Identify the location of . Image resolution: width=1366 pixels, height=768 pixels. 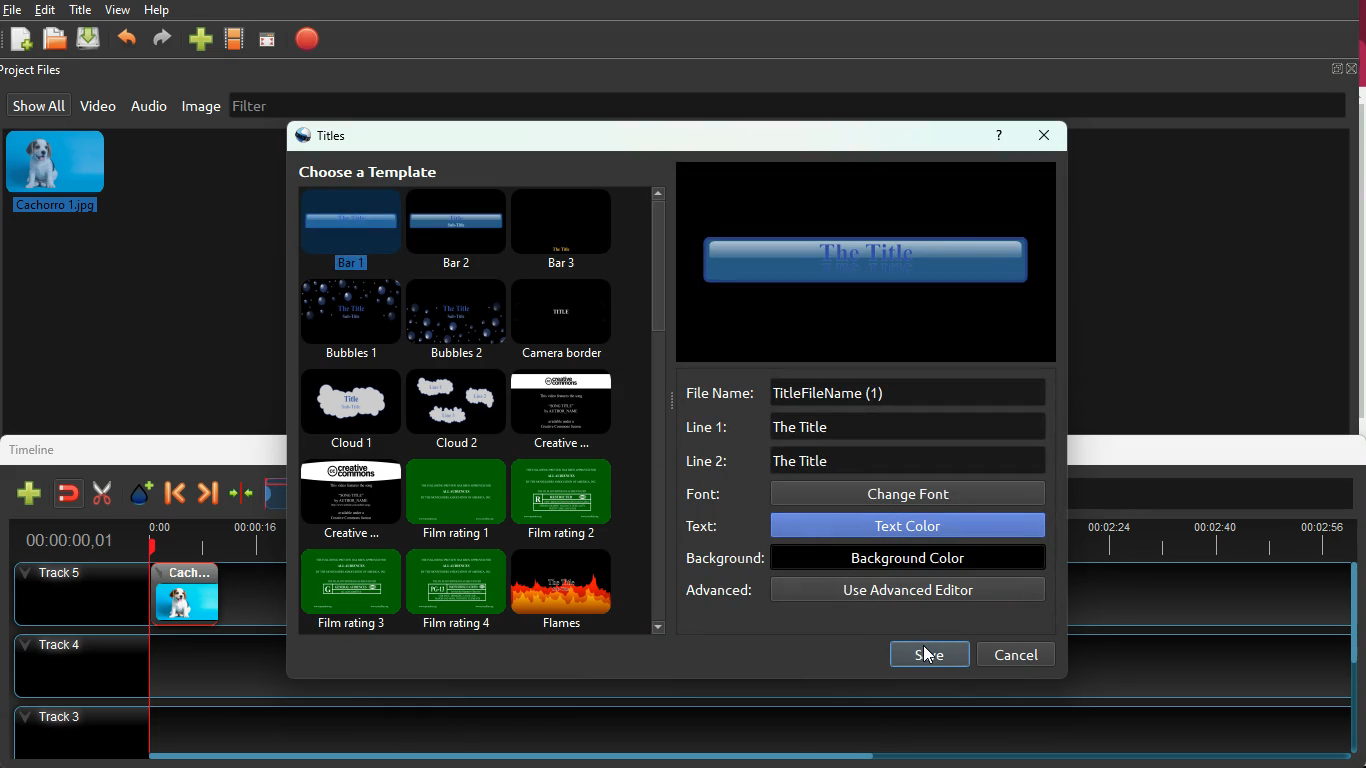
(1210, 542).